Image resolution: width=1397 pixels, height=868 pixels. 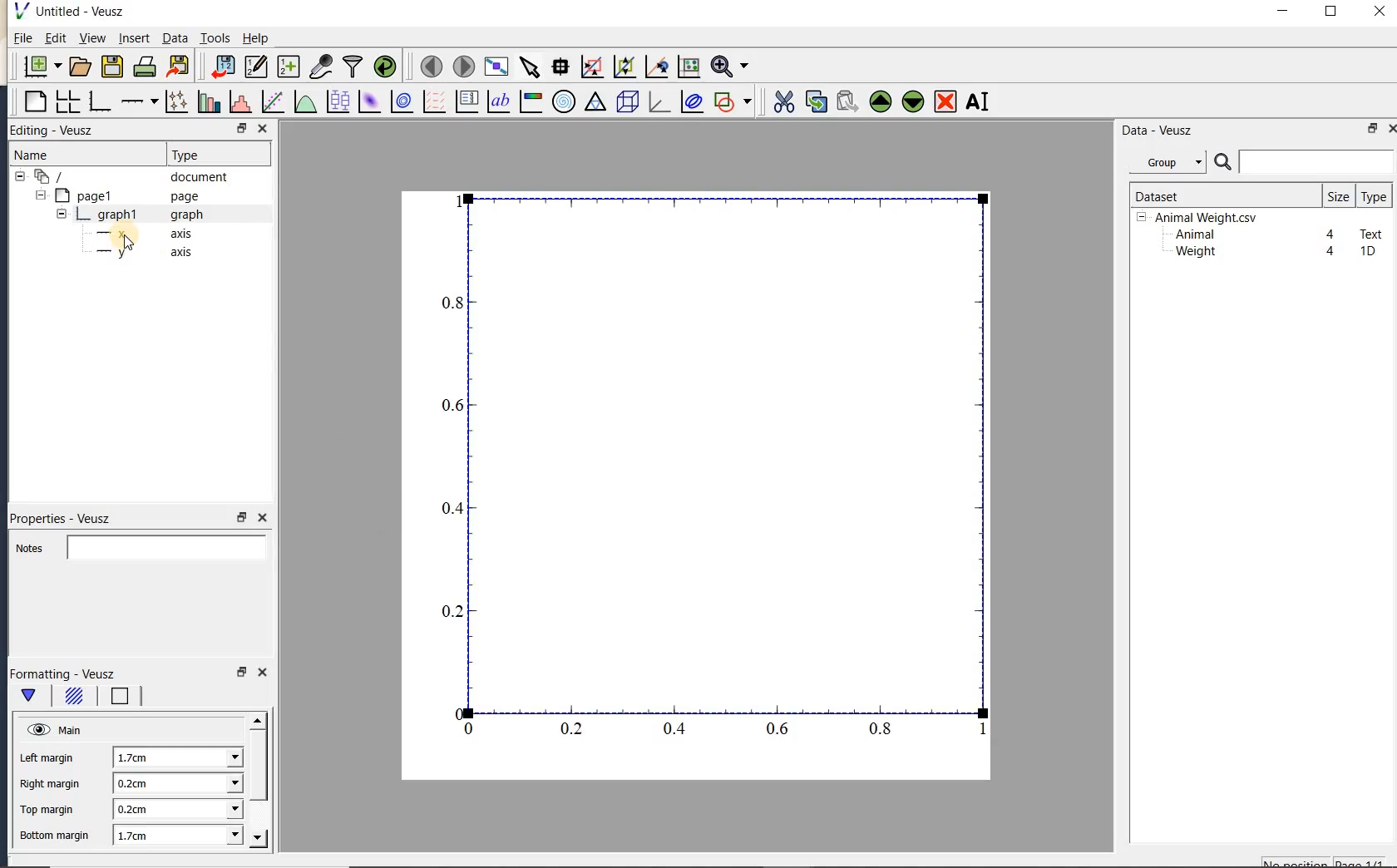 What do you see at coordinates (33, 102) in the screenshot?
I see `blank page` at bounding box center [33, 102].